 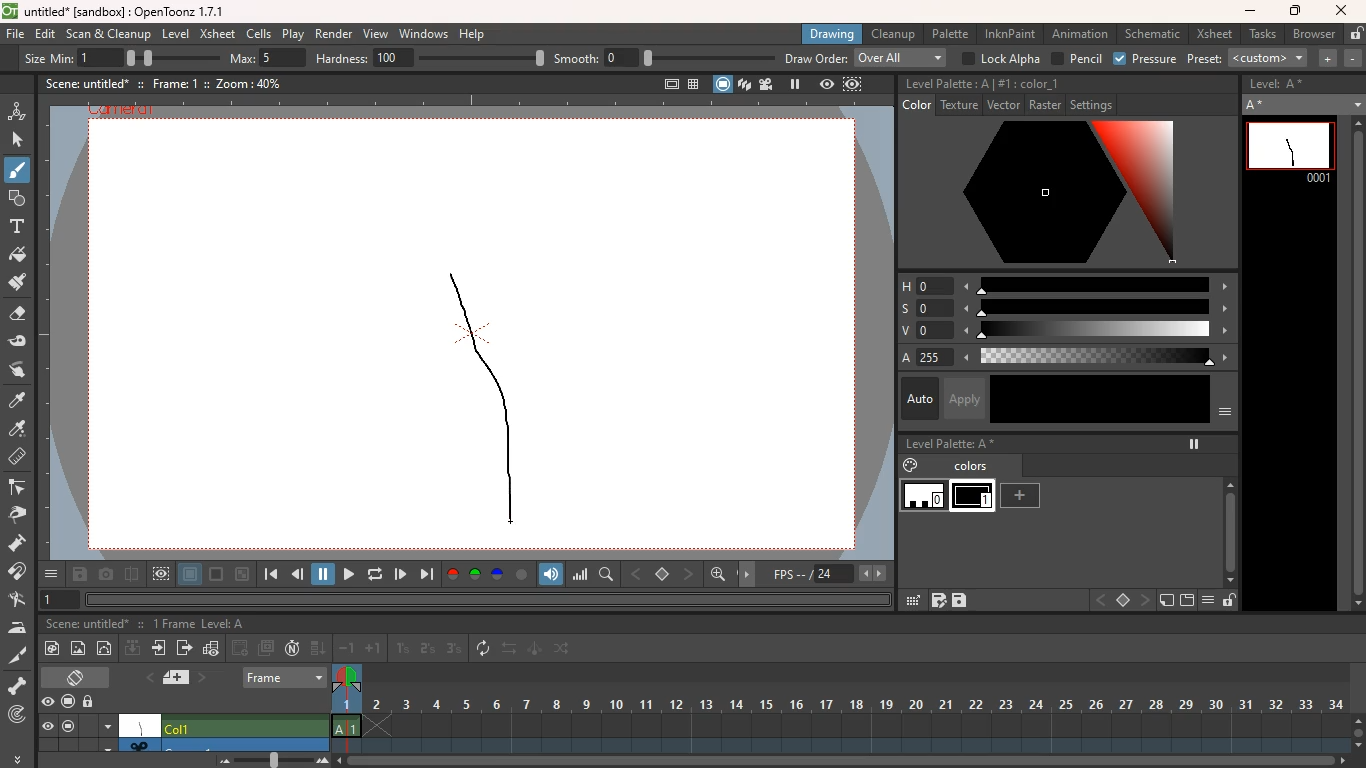 I want to click on frame: 1, so click(x=174, y=83).